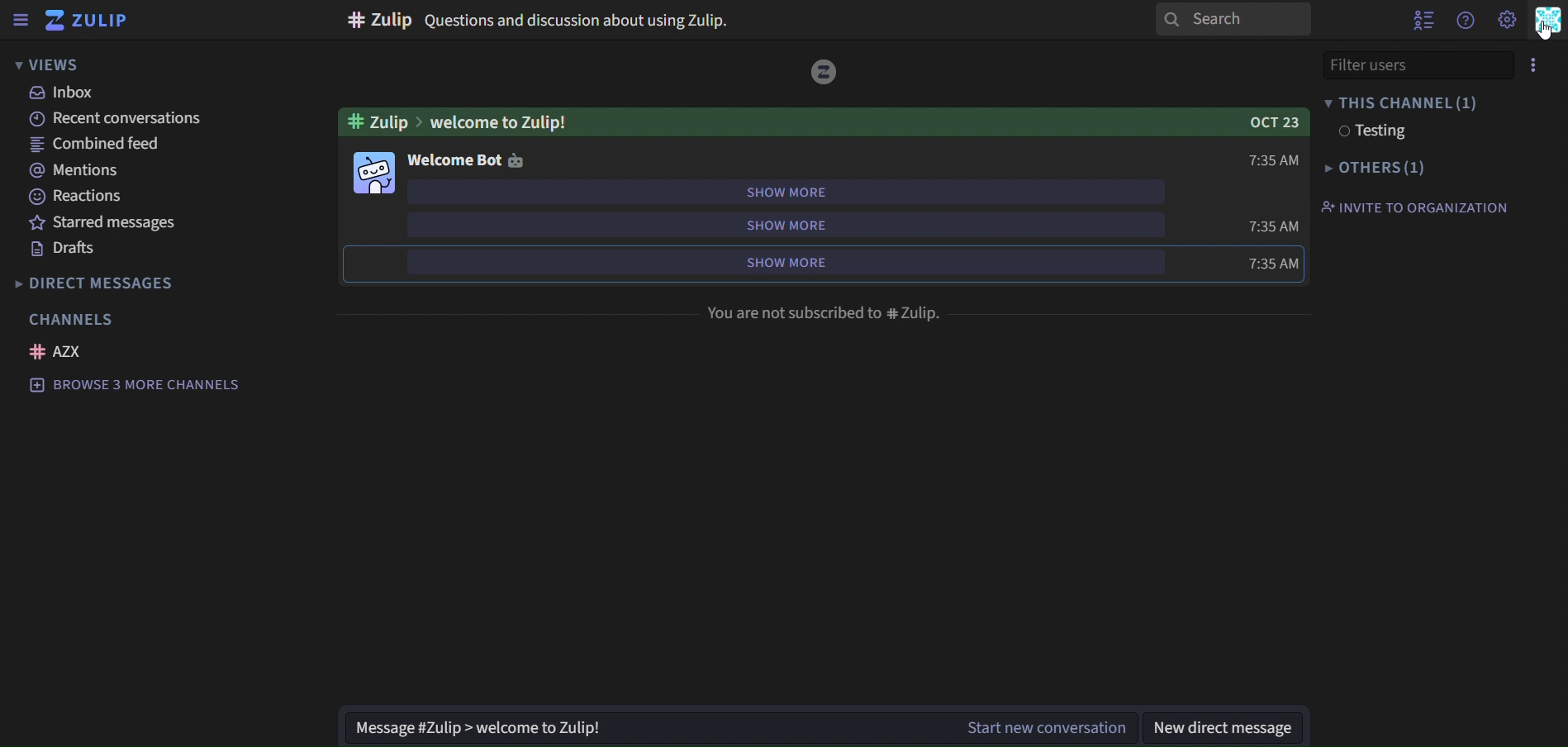  What do you see at coordinates (379, 120) in the screenshot?
I see `# zulip` at bounding box center [379, 120].